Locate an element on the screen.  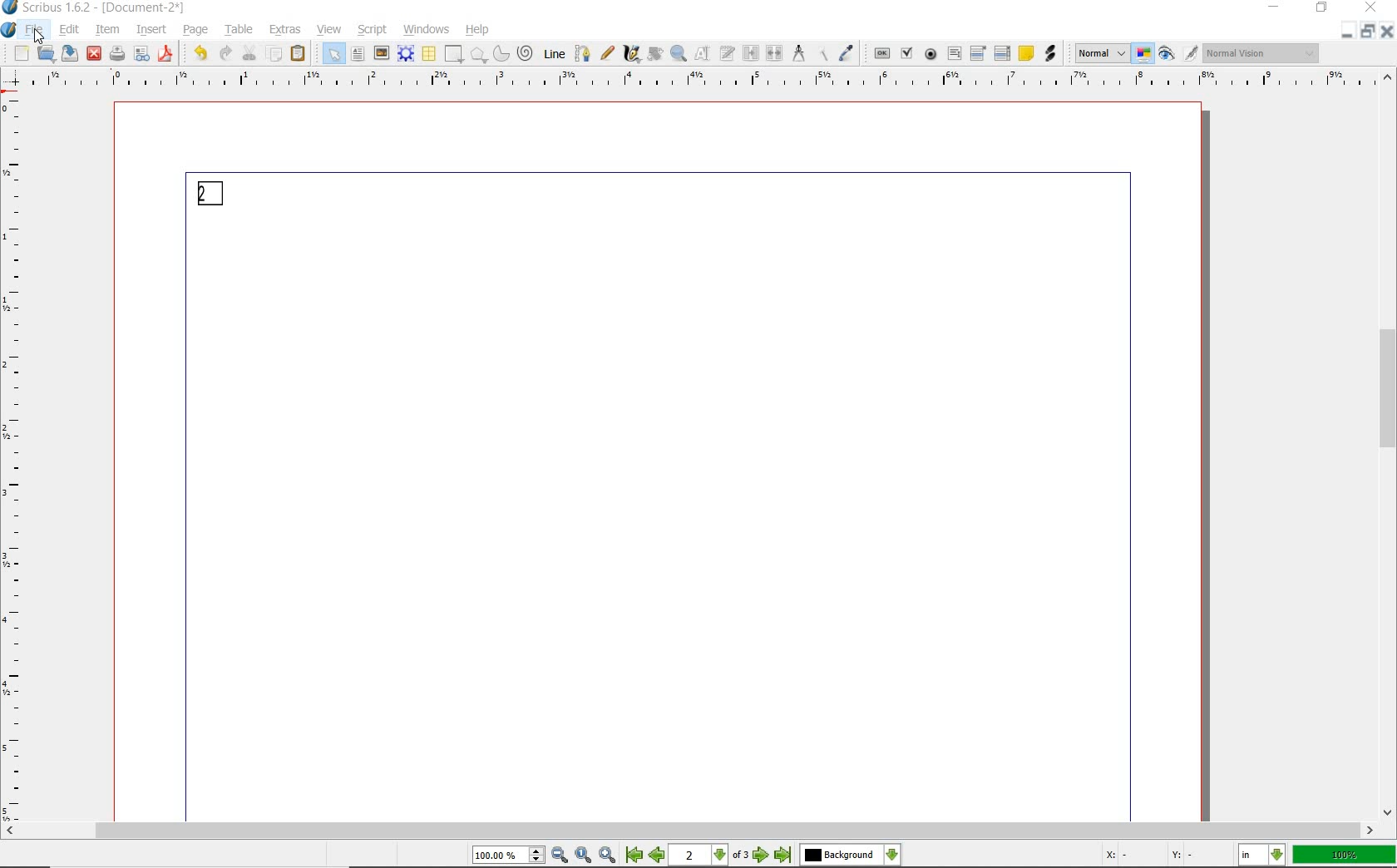
copy item properties is located at coordinates (823, 55).